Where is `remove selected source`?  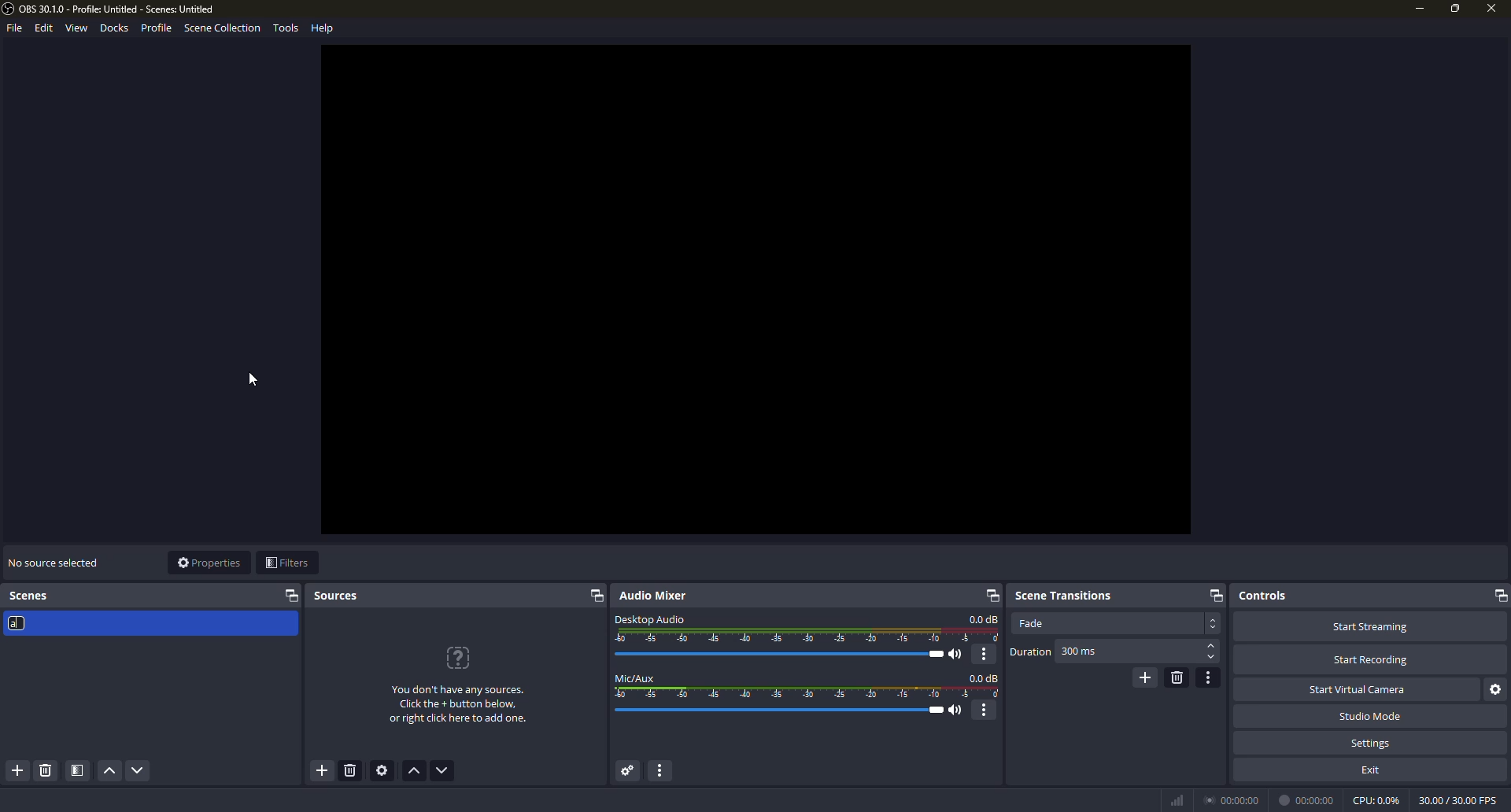
remove selected source is located at coordinates (353, 773).